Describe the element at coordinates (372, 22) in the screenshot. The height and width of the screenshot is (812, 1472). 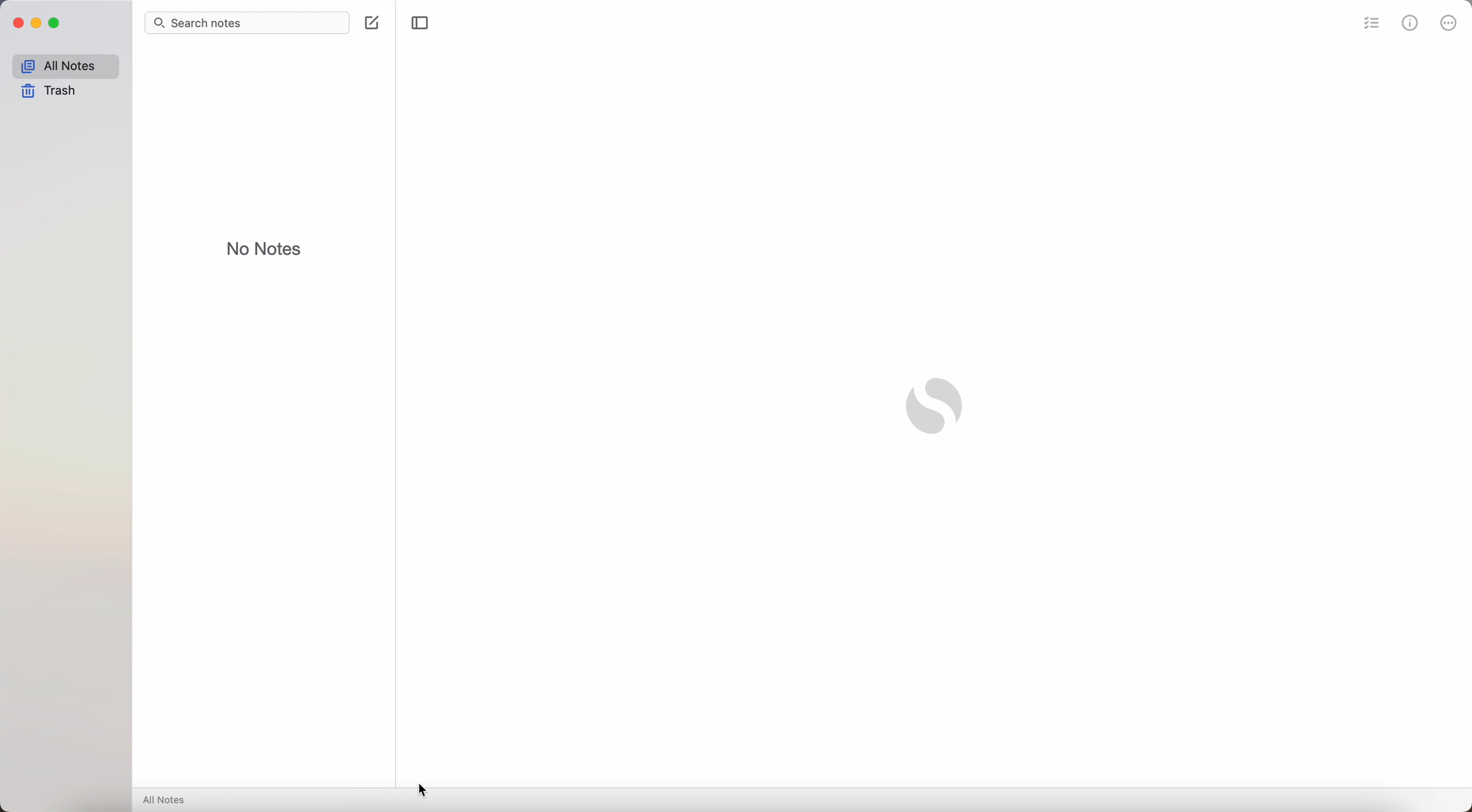
I see `create note` at that location.